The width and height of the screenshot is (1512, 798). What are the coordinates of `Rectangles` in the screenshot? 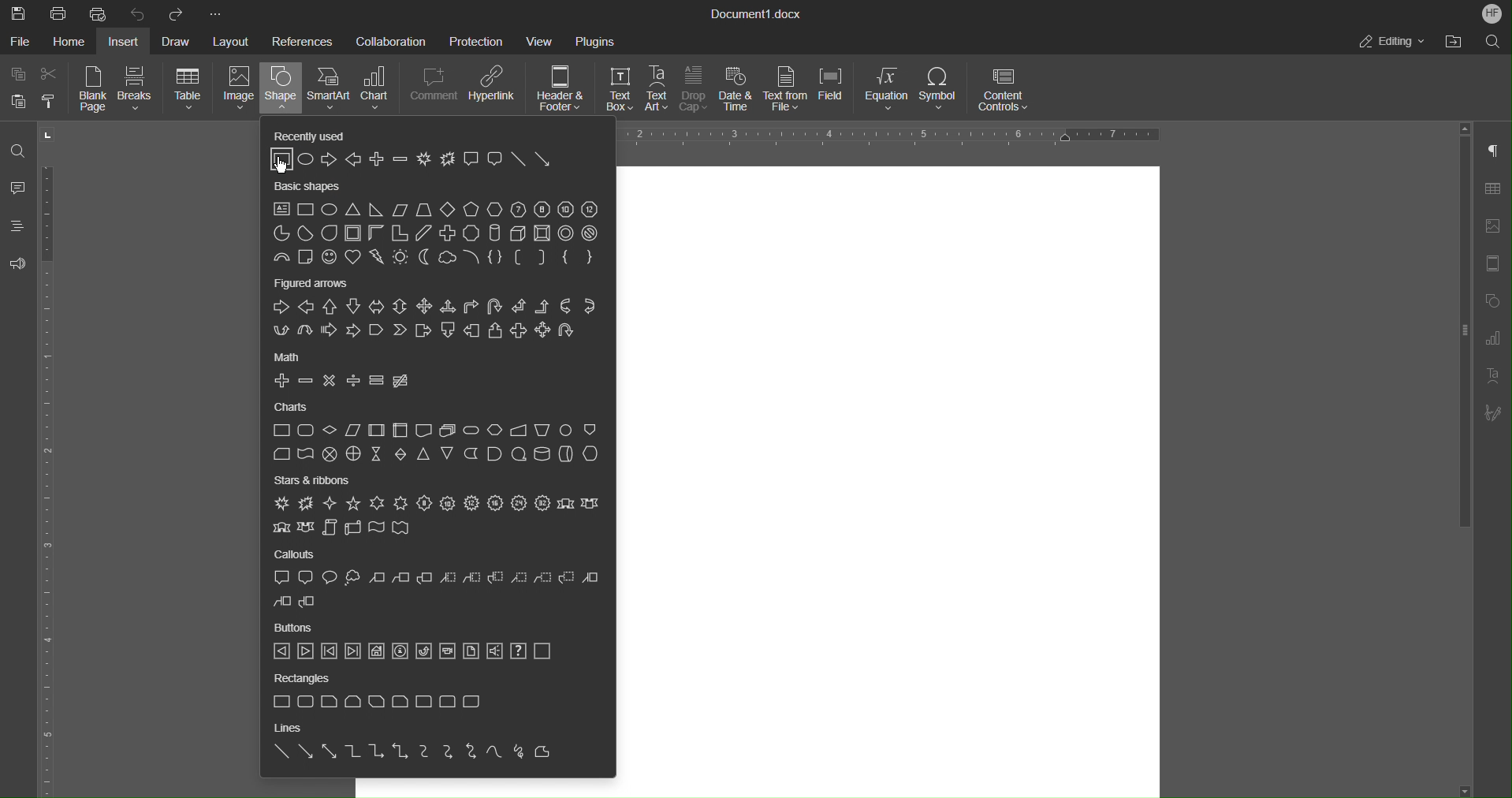 It's located at (303, 680).